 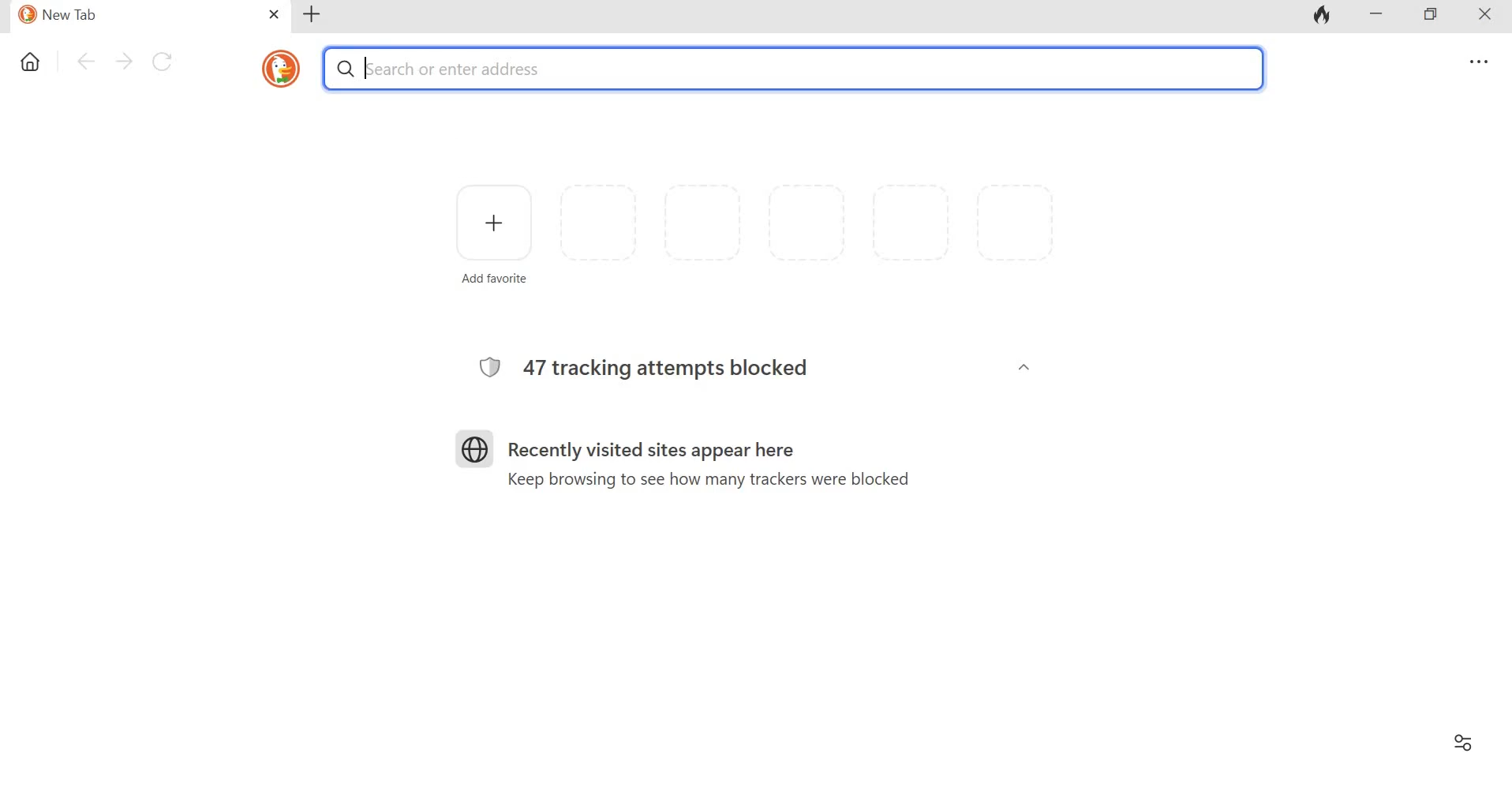 I want to click on 47 tracking attempts blocked, so click(x=671, y=369).